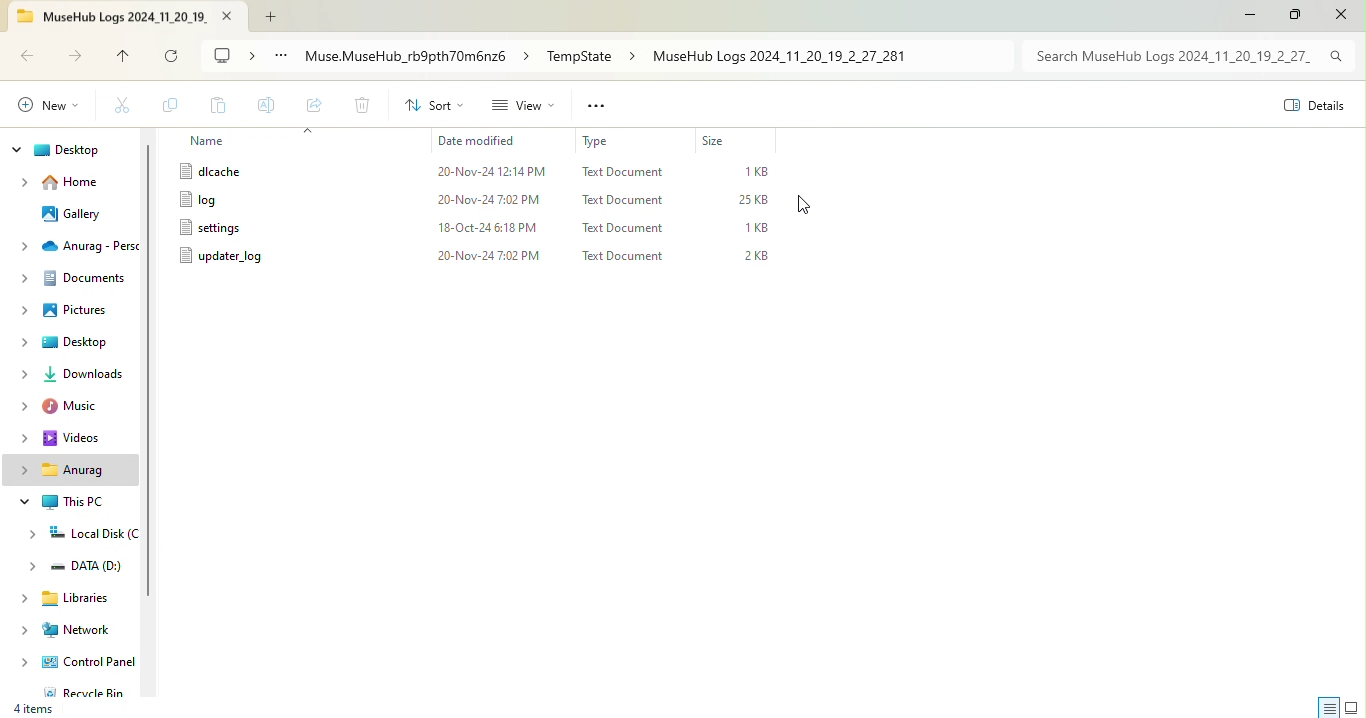 This screenshot has width=1366, height=718. What do you see at coordinates (65, 441) in the screenshot?
I see `Videos` at bounding box center [65, 441].